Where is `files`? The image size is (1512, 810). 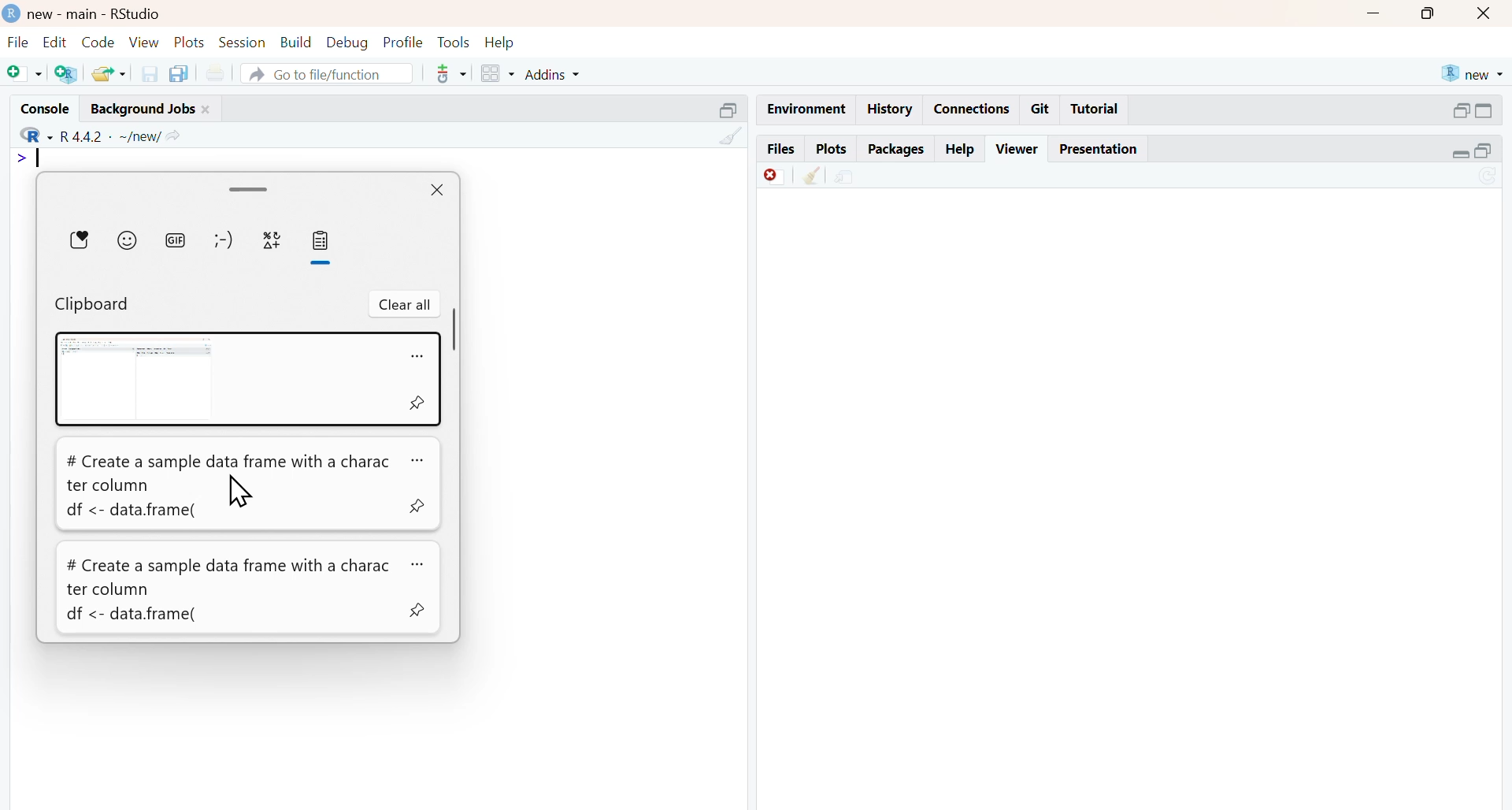
files is located at coordinates (782, 150).